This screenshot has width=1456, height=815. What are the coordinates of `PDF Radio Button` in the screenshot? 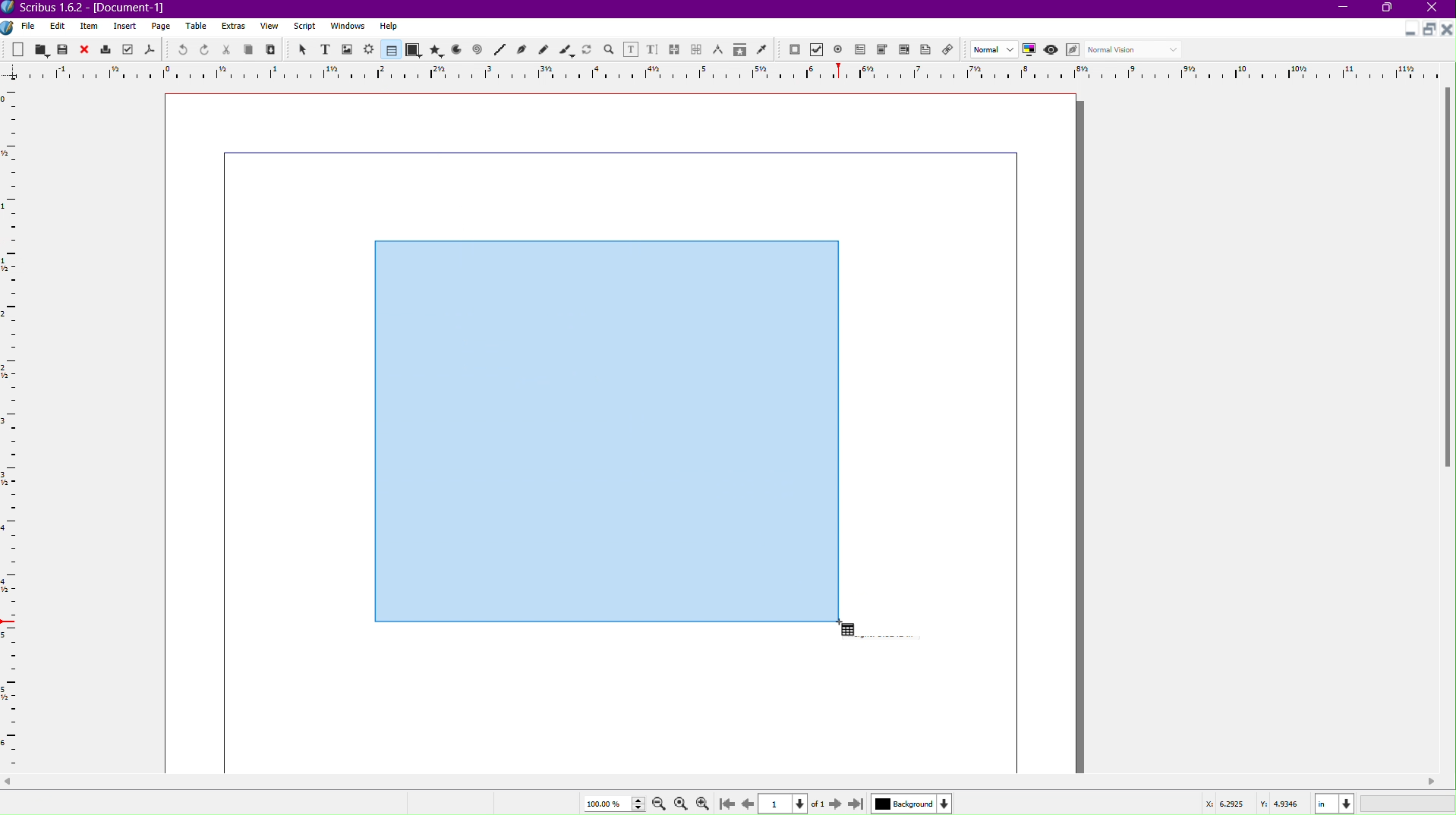 It's located at (841, 49).